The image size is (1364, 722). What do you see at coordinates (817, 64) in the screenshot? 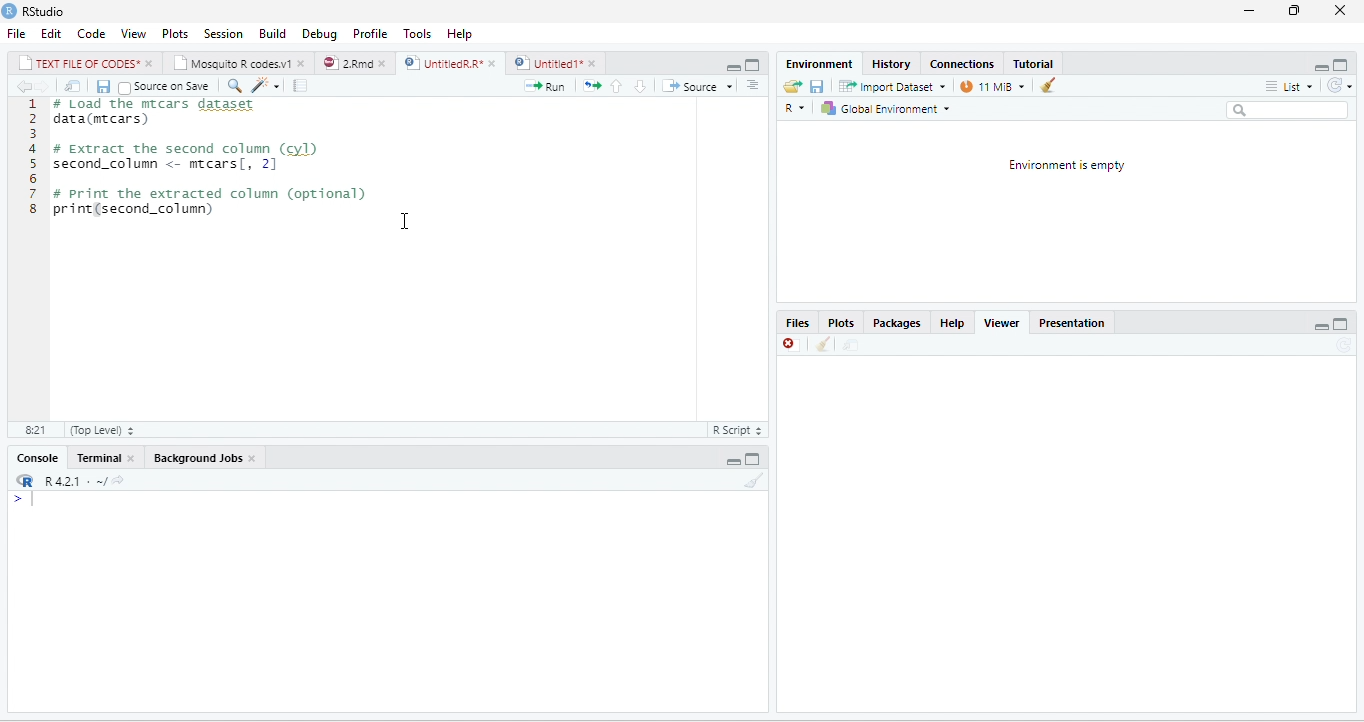
I see `‘Environment` at bounding box center [817, 64].